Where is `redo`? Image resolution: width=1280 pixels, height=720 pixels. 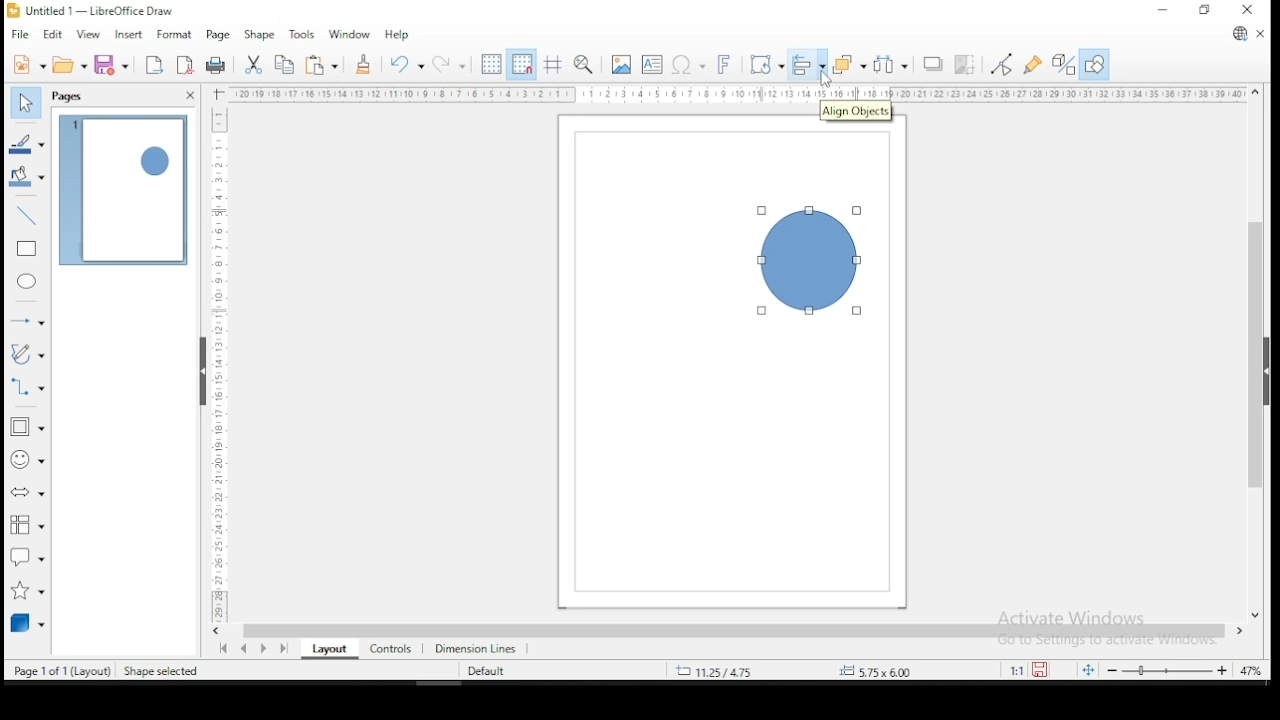
redo is located at coordinates (448, 63).